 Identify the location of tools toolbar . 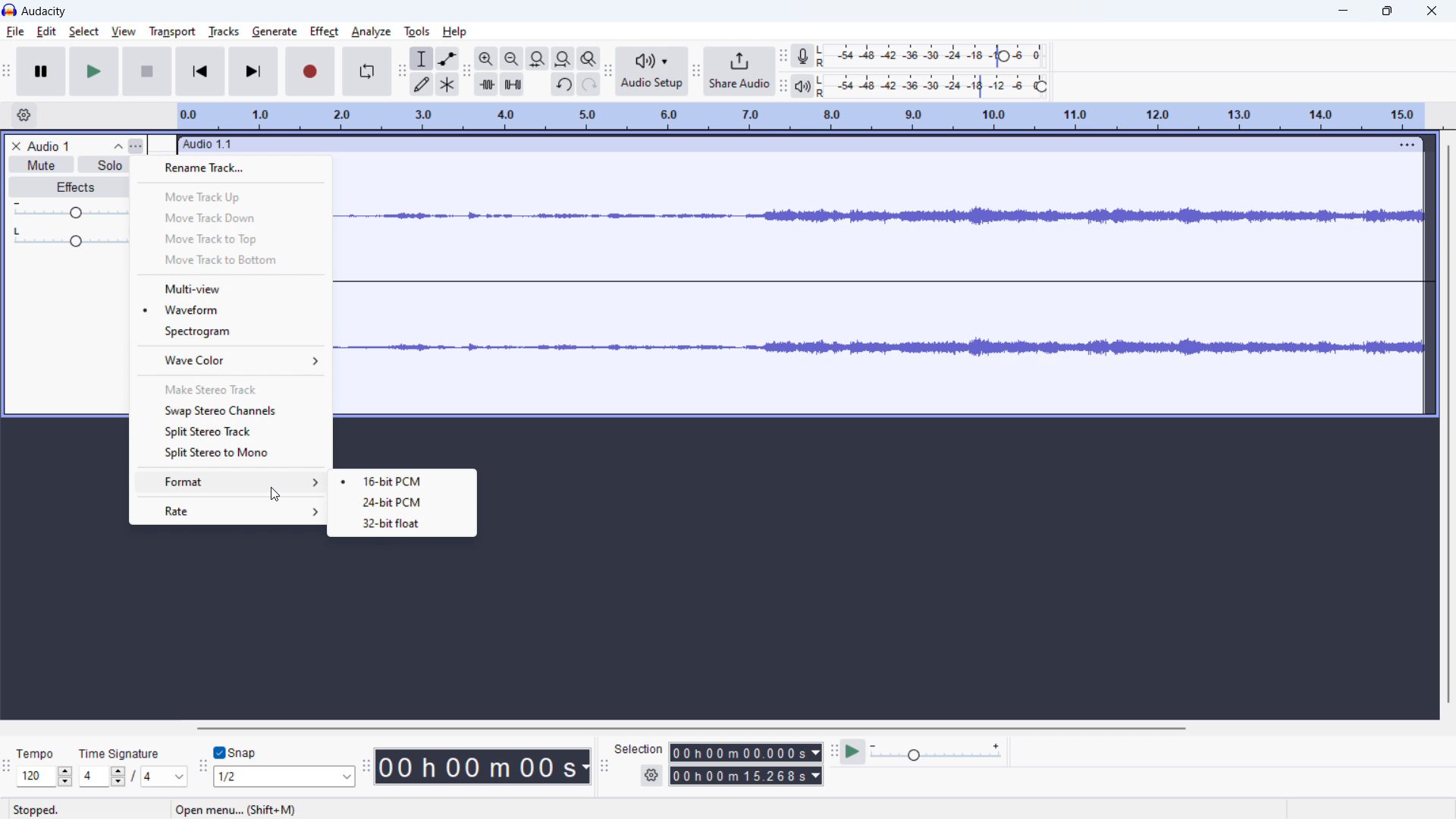
(401, 71).